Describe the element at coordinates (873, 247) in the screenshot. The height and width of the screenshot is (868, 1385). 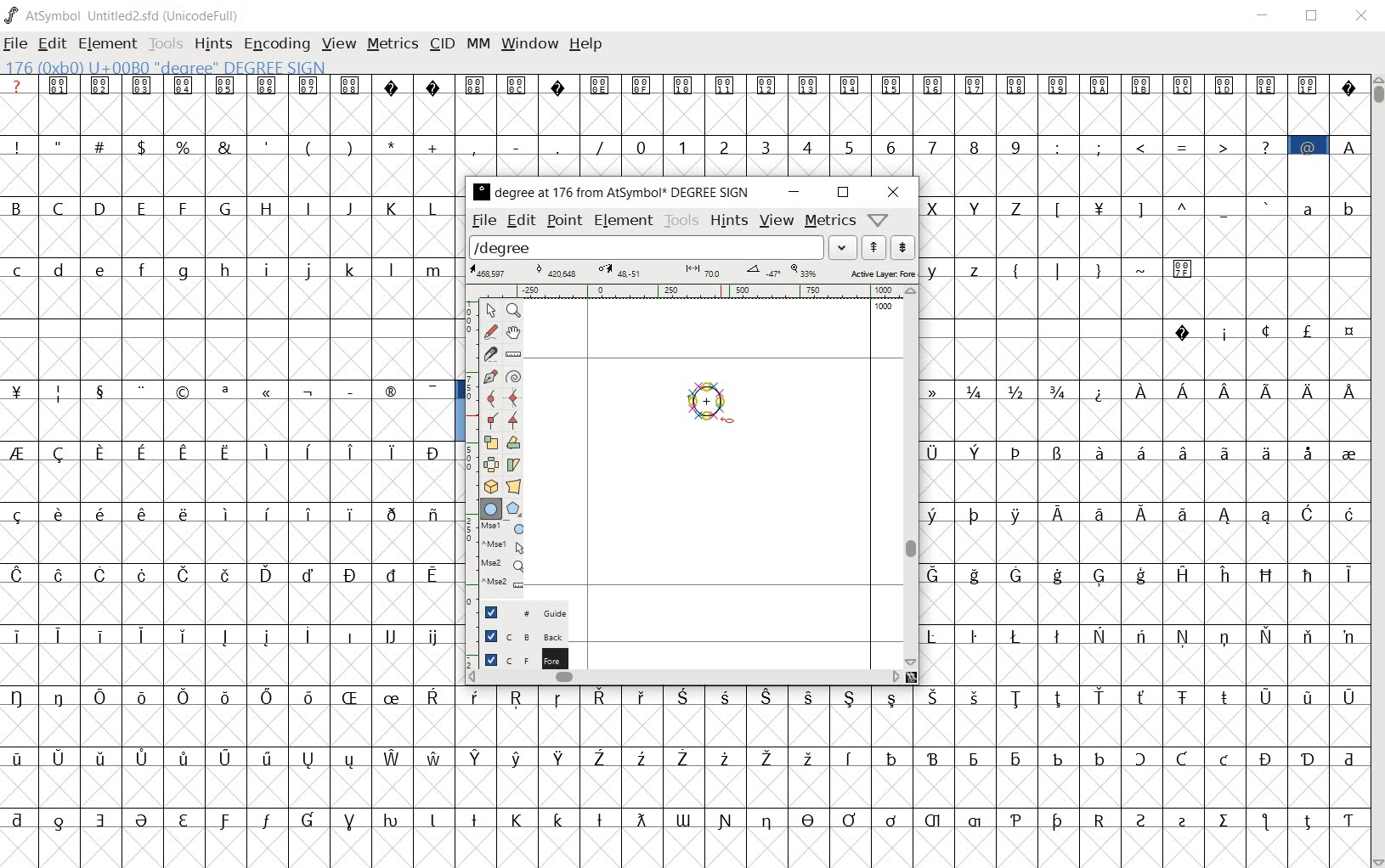
I see `show the next word on the list` at that location.